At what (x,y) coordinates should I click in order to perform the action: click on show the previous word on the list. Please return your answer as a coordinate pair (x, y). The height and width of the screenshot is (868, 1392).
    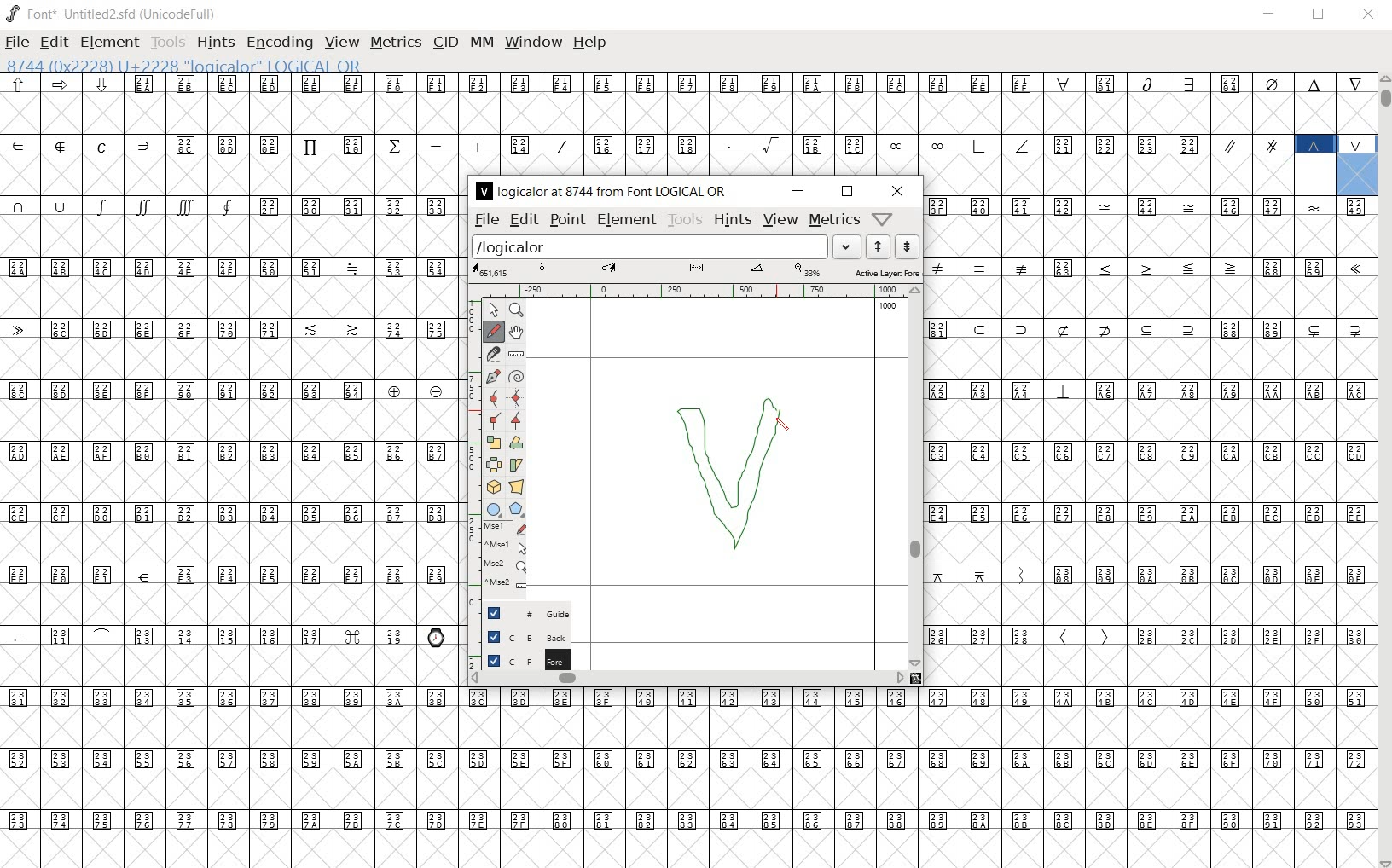
    Looking at the image, I should click on (907, 246).